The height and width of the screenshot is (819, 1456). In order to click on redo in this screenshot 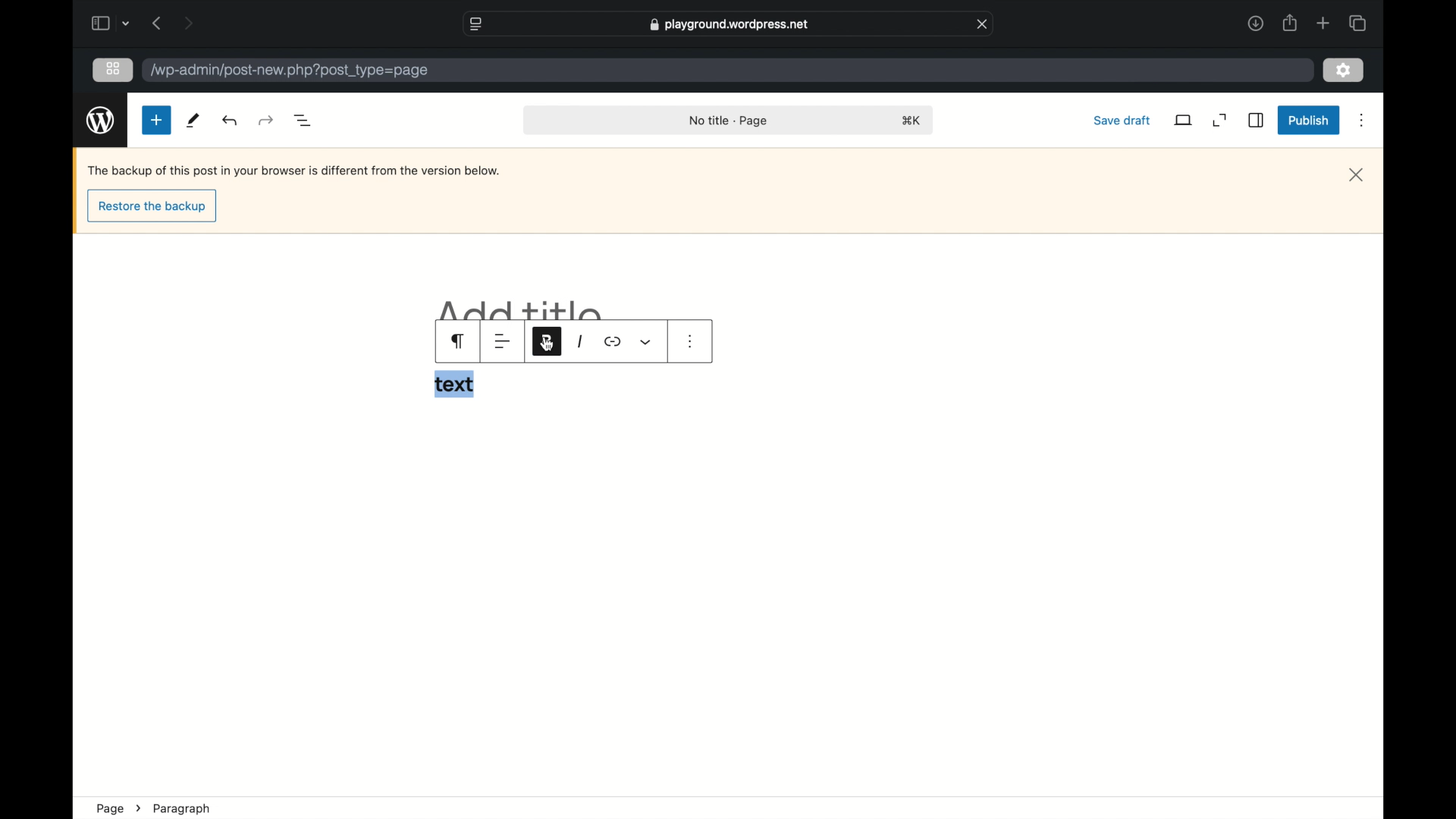, I will do `click(231, 120)`.